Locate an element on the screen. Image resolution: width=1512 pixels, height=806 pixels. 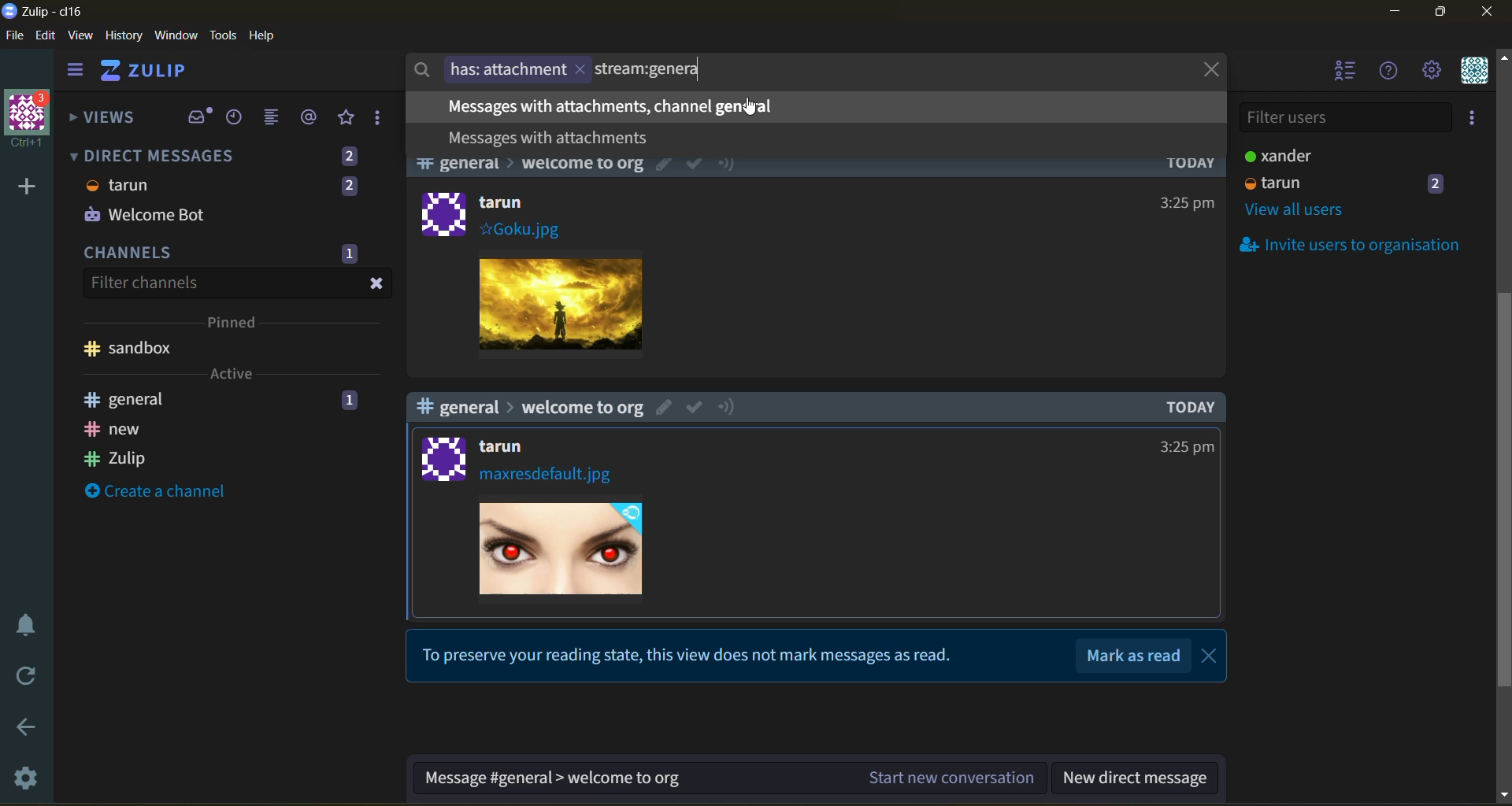
Image is located at coordinates (565, 549).